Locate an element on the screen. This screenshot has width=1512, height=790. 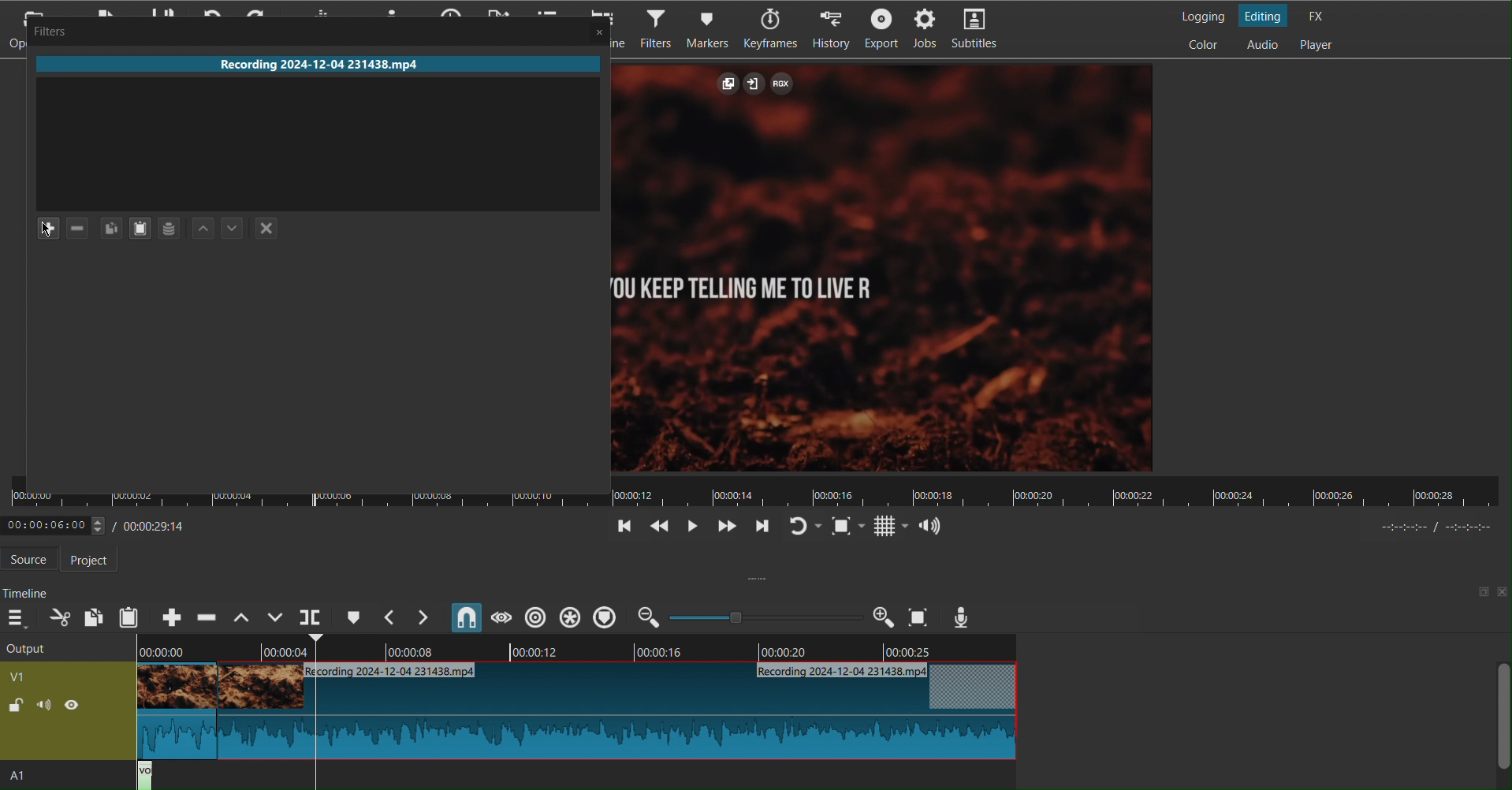
maximize is located at coordinates (1477, 591).